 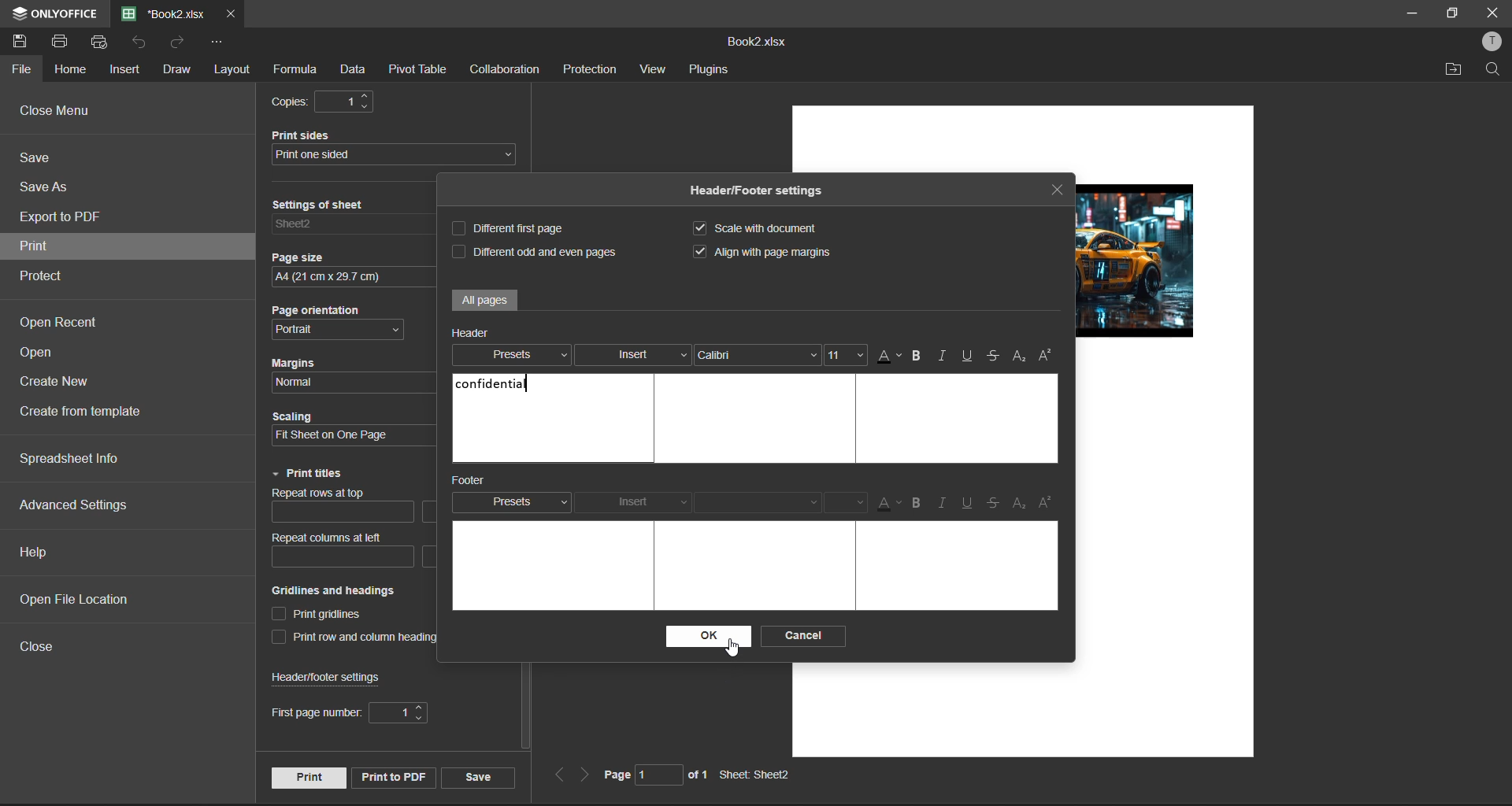 I want to click on advanced settings, so click(x=76, y=505).